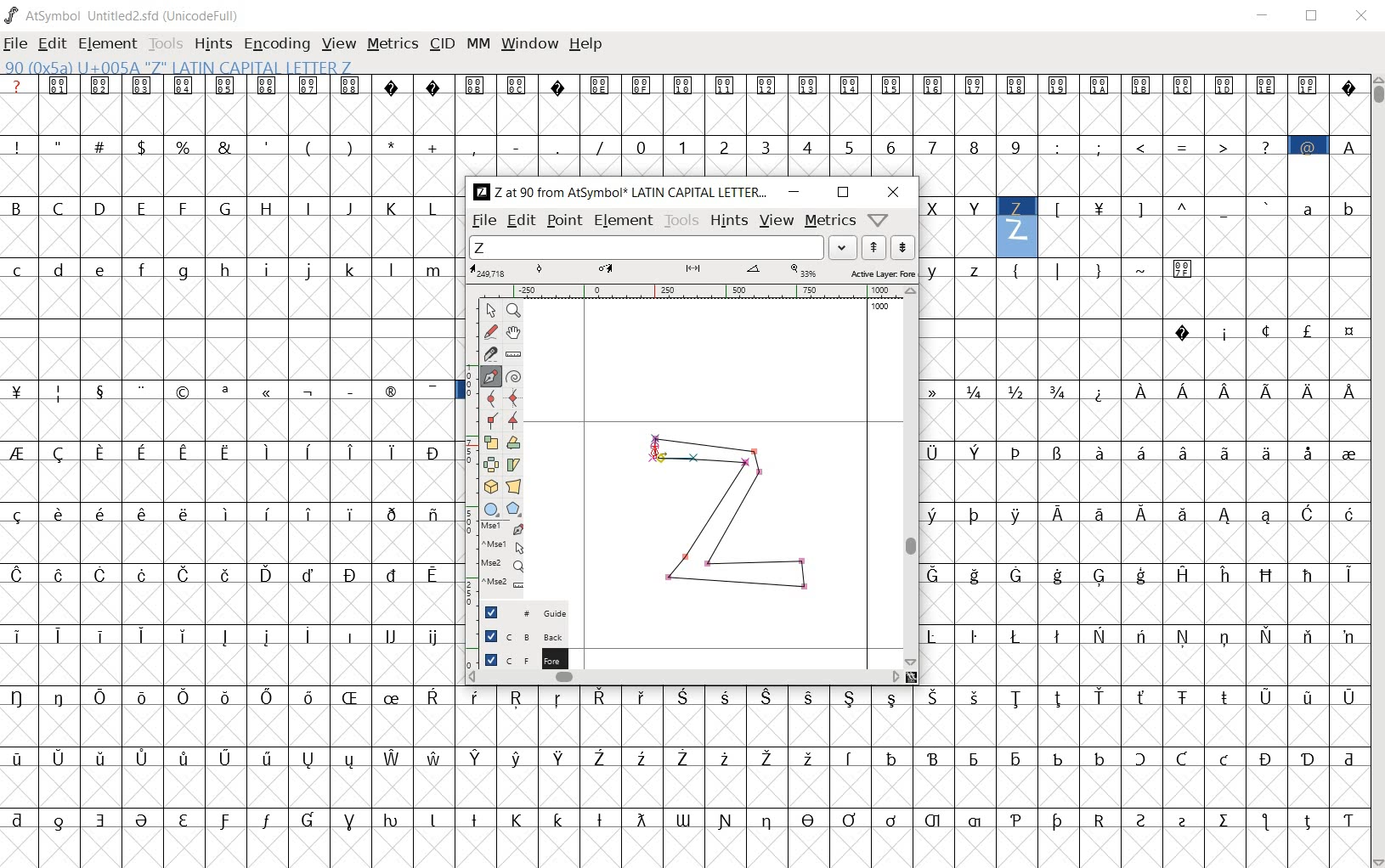 This screenshot has width=1385, height=868. I want to click on MAGNIFY, so click(513, 311).